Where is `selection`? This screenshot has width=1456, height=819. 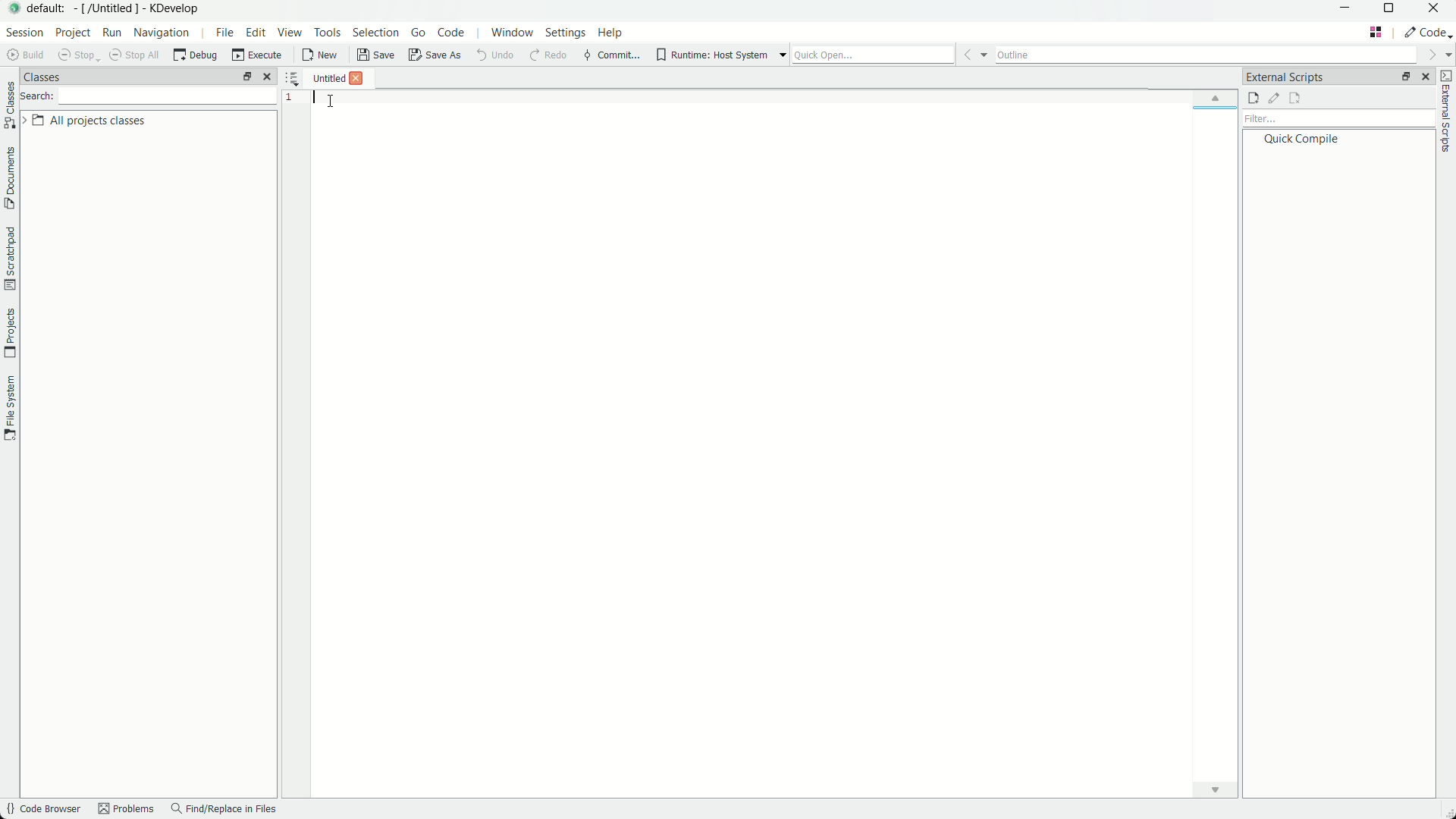
selection is located at coordinates (375, 33).